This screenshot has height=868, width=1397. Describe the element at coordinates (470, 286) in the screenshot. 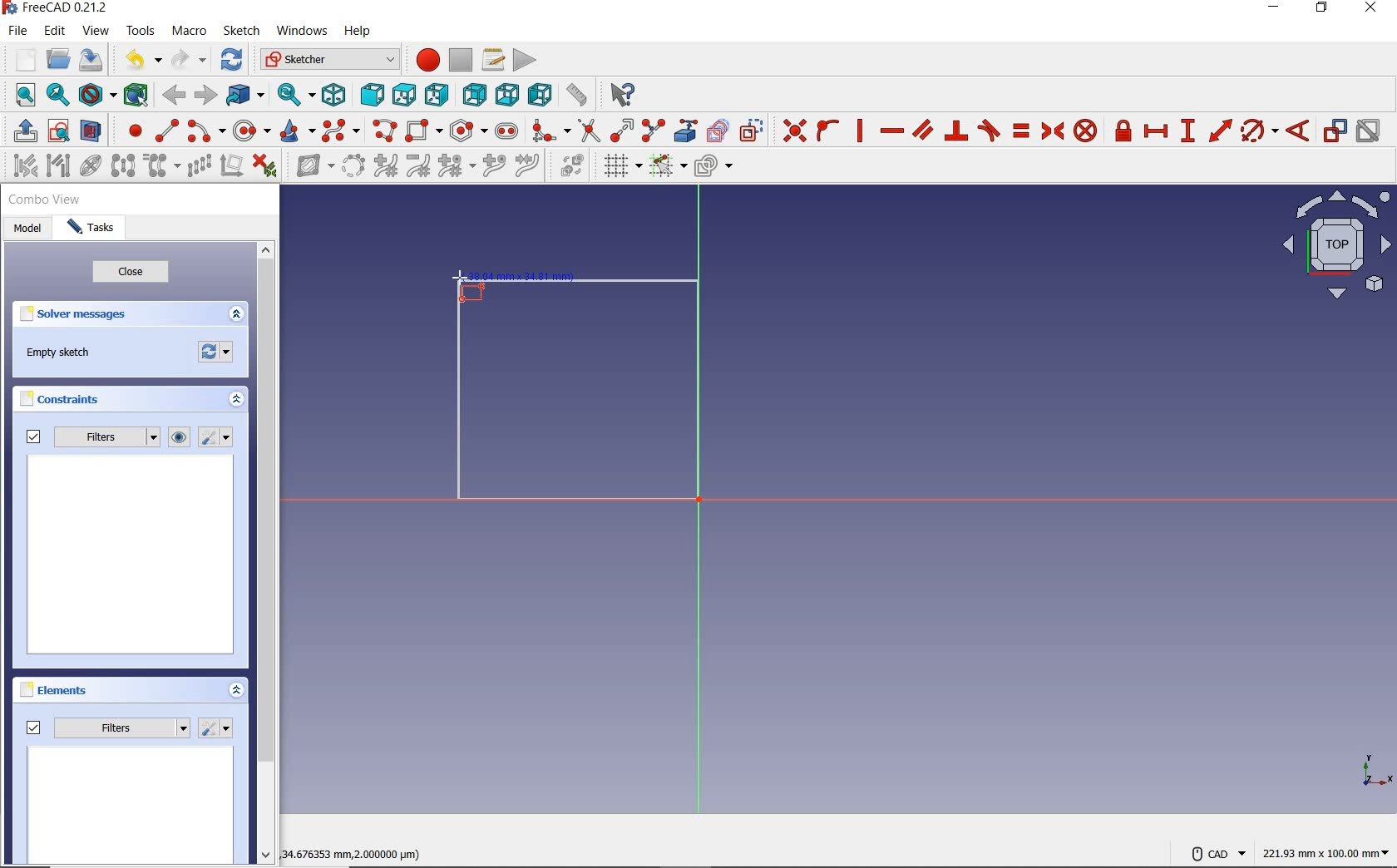

I see `rectangle tool at point y rising` at that location.